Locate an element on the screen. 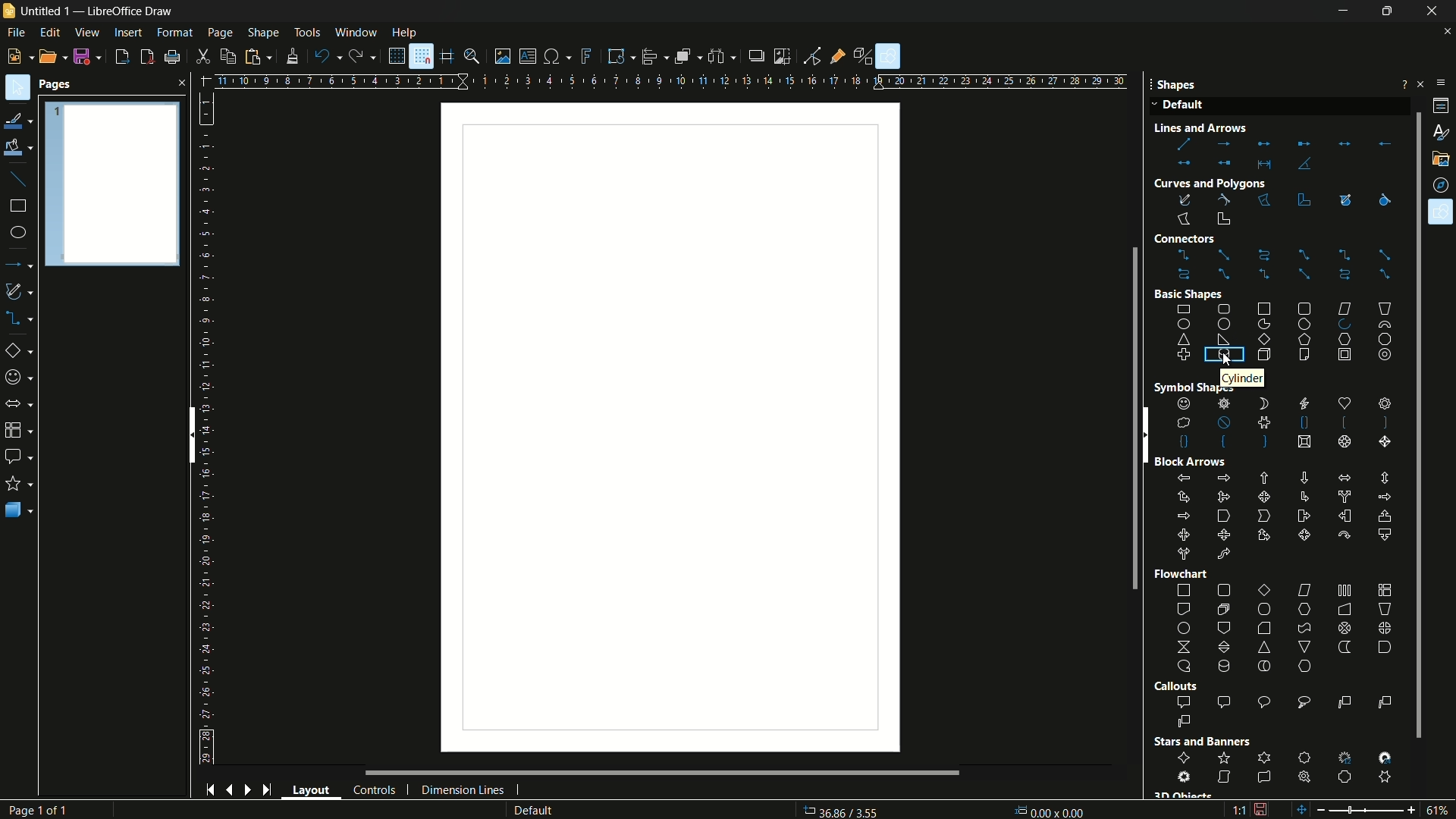 The image size is (1456, 819). display grid is located at coordinates (394, 56).